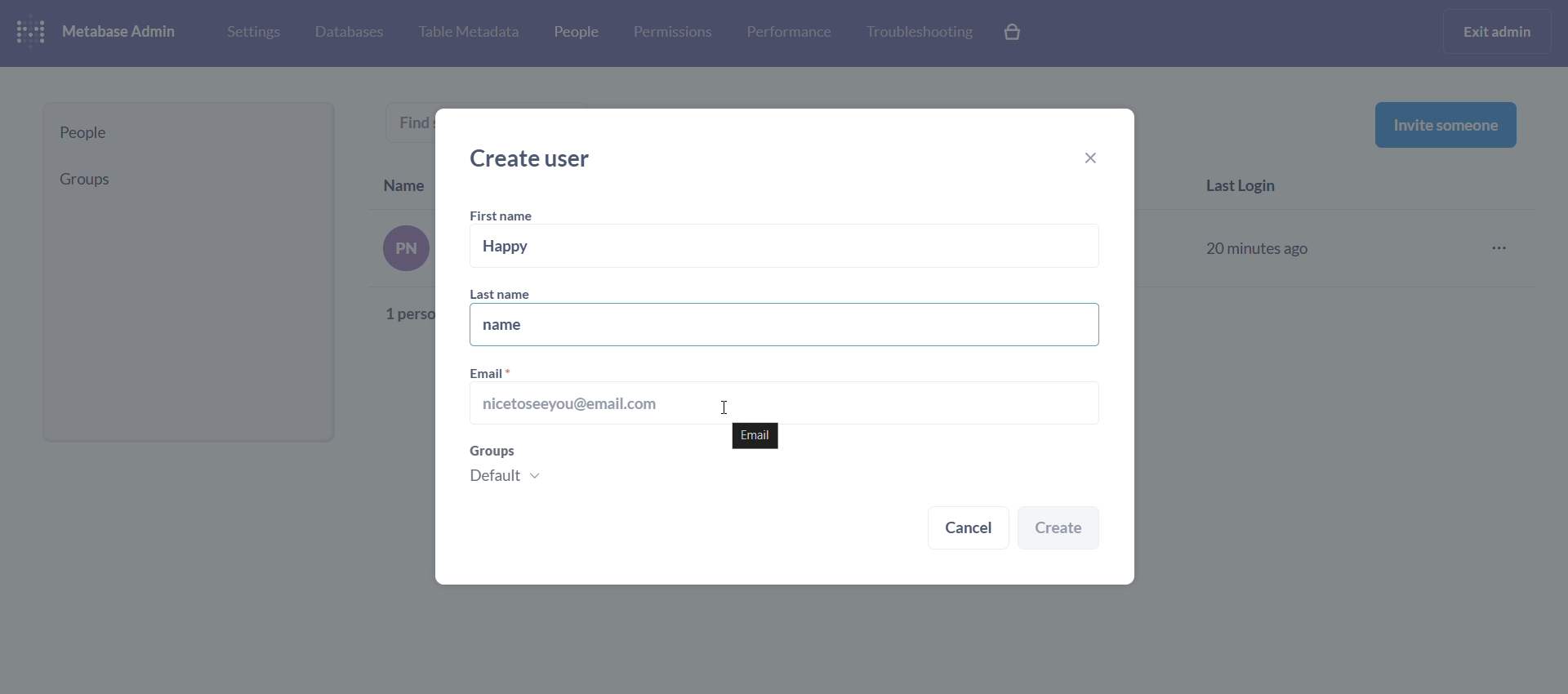 The image size is (1568, 694). Describe the element at coordinates (537, 158) in the screenshot. I see `create user` at that location.